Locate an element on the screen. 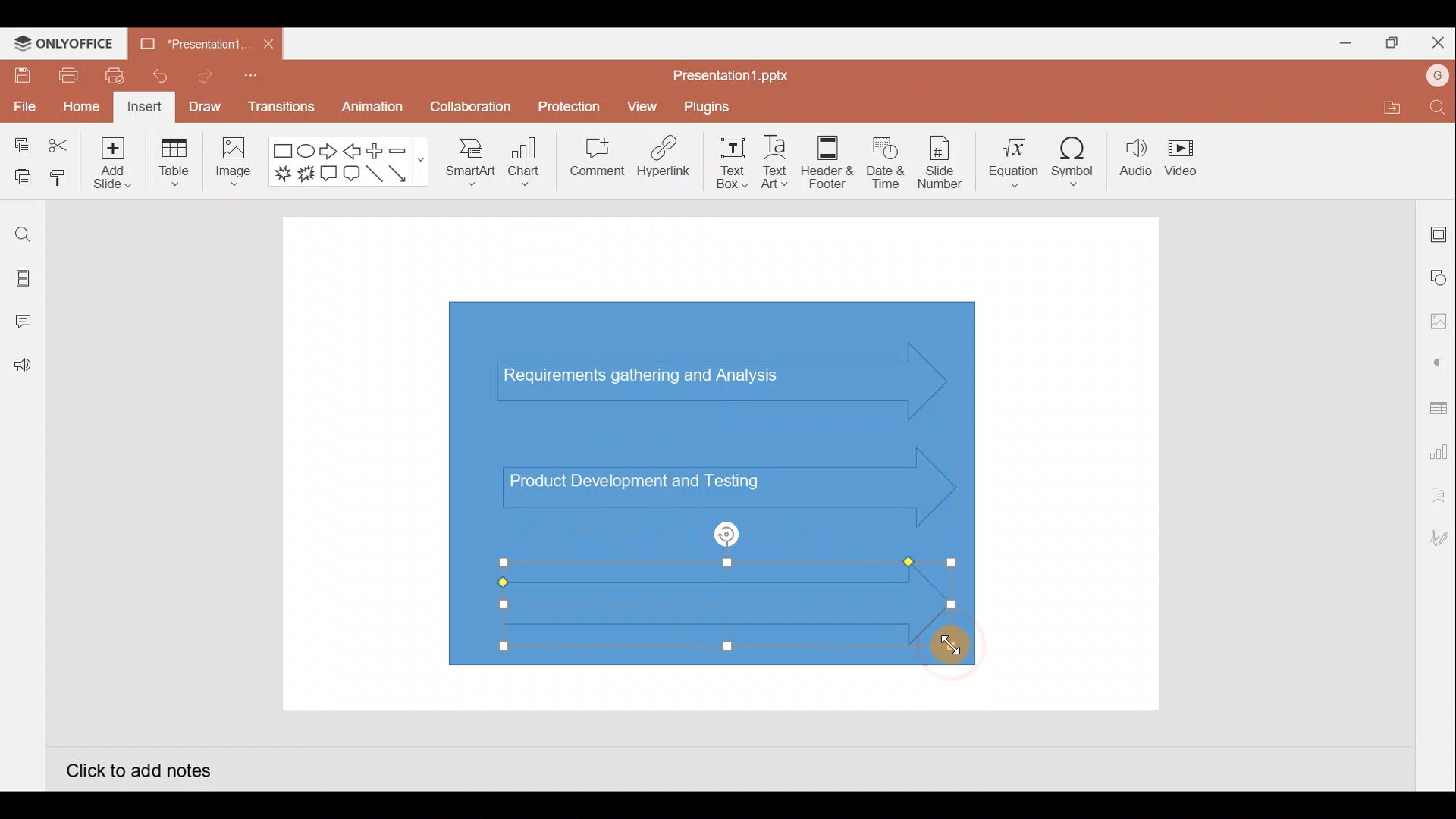 This screenshot has width=1456, height=819. Animation is located at coordinates (374, 111).